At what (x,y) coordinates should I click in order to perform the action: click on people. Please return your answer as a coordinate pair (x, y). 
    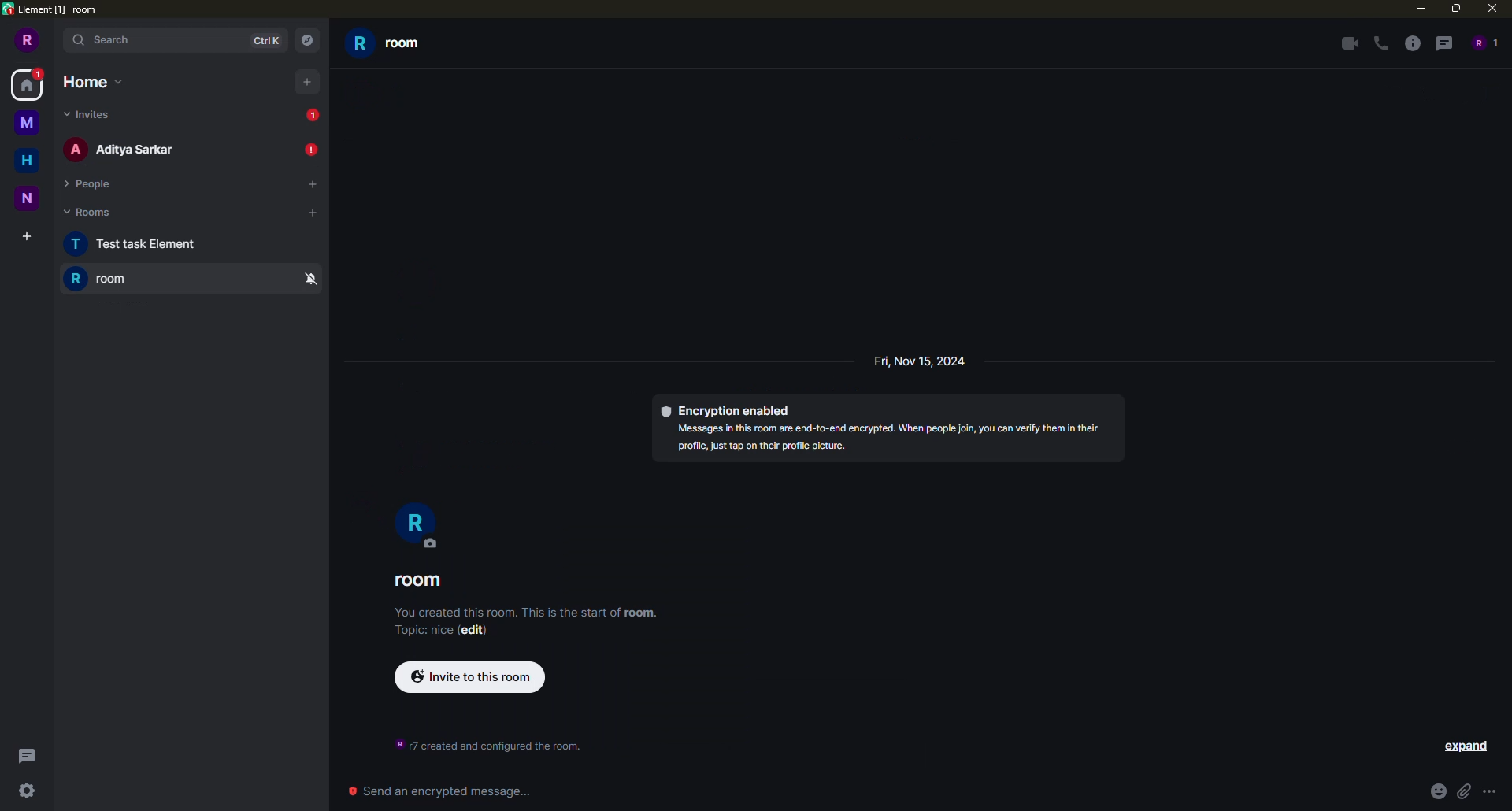
    Looking at the image, I should click on (1487, 43).